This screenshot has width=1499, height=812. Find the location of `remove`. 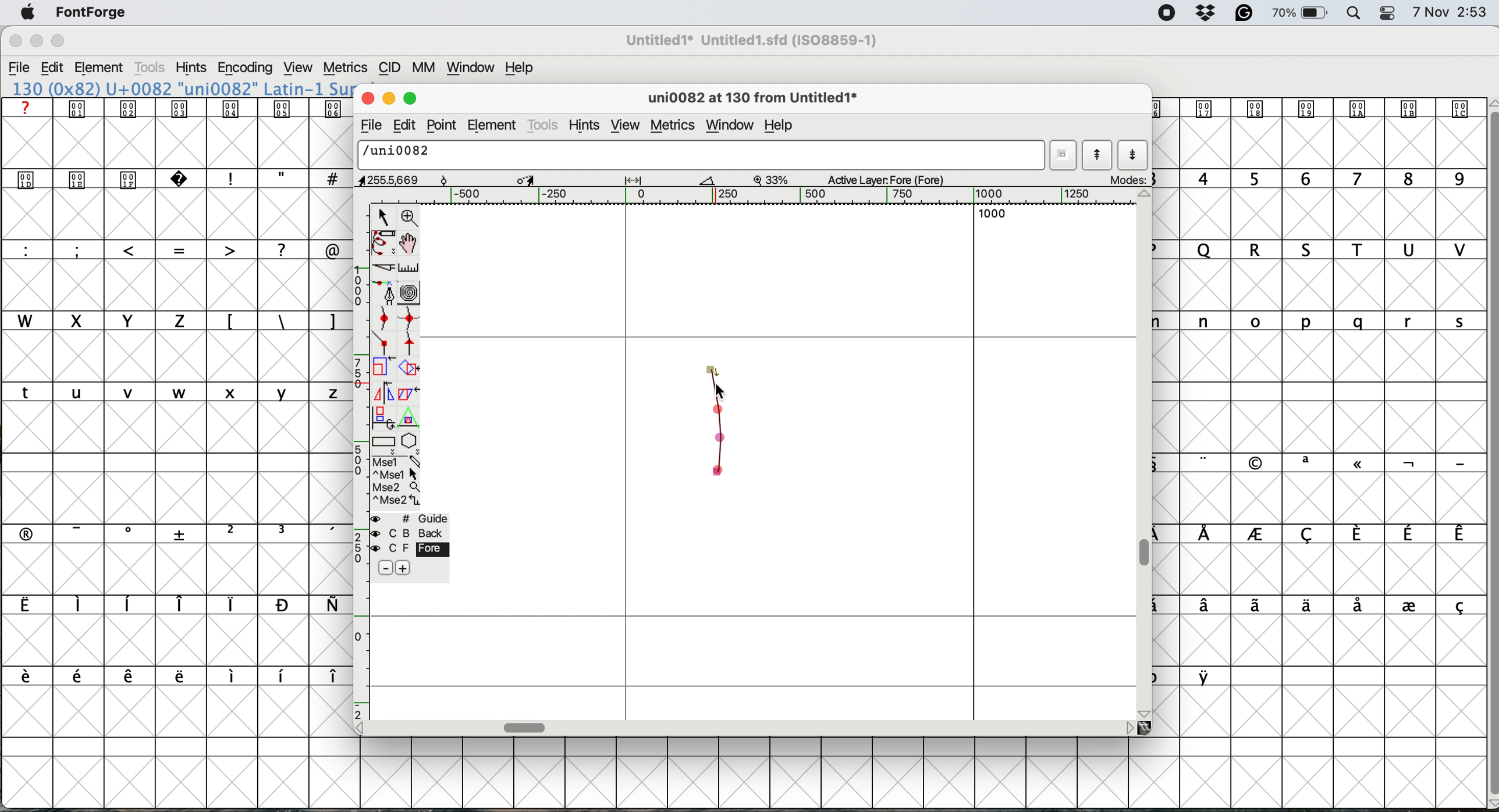

remove is located at coordinates (382, 568).